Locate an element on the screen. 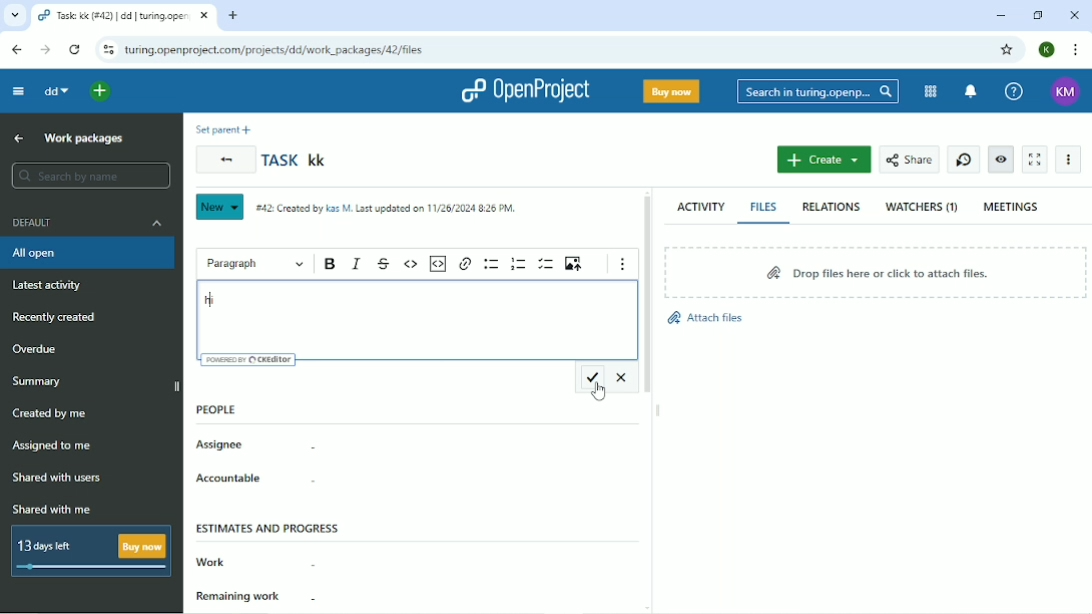  Customize and control google chrome is located at coordinates (1073, 49).